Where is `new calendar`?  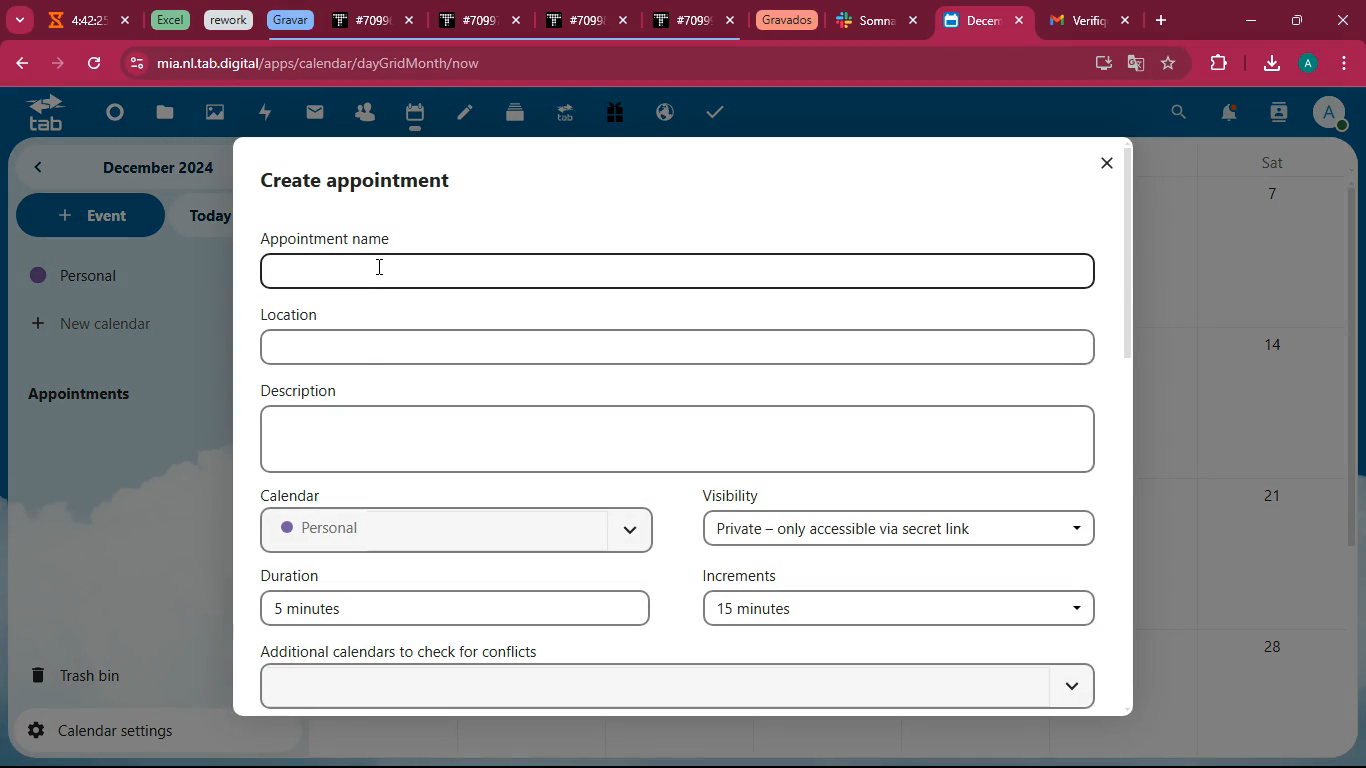
new calendar is located at coordinates (94, 324).